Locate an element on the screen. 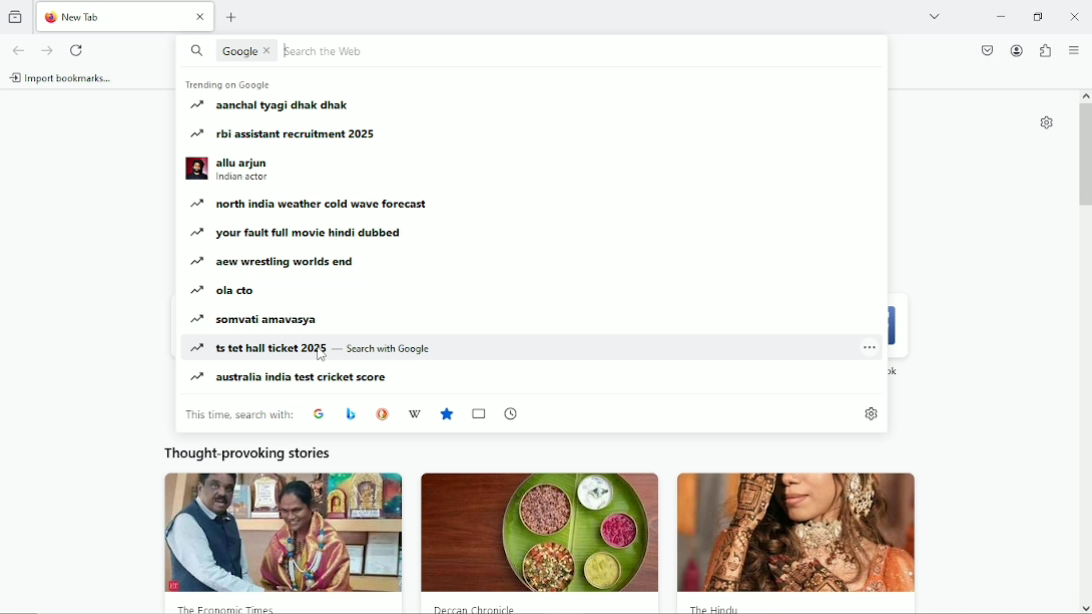 This screenshot has width=1092, height=614. bookmarks is located at coordinates (449, 414).